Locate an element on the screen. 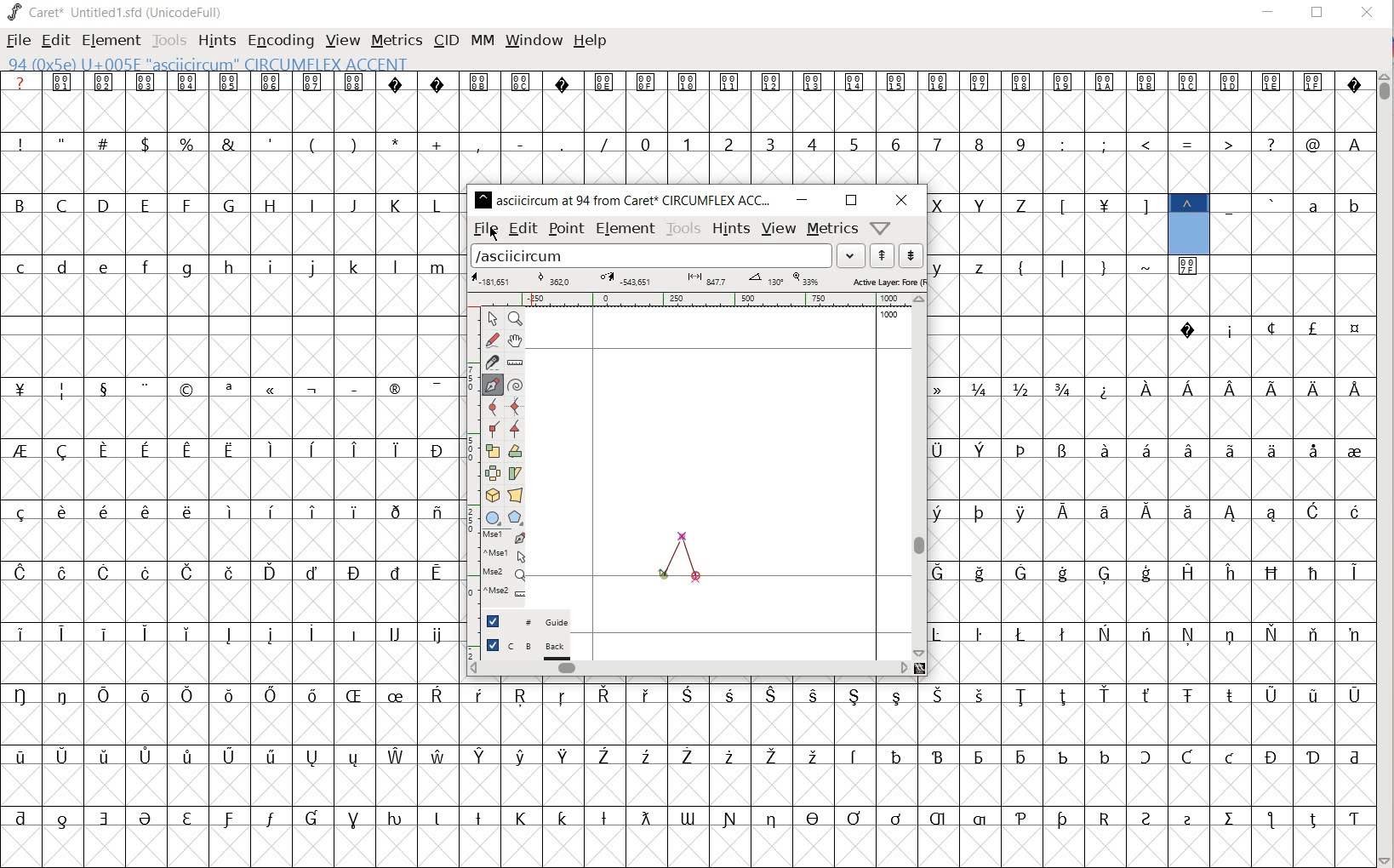 This screenshot has height=868, width=1394. second point added is located at coordinates (683, 537).